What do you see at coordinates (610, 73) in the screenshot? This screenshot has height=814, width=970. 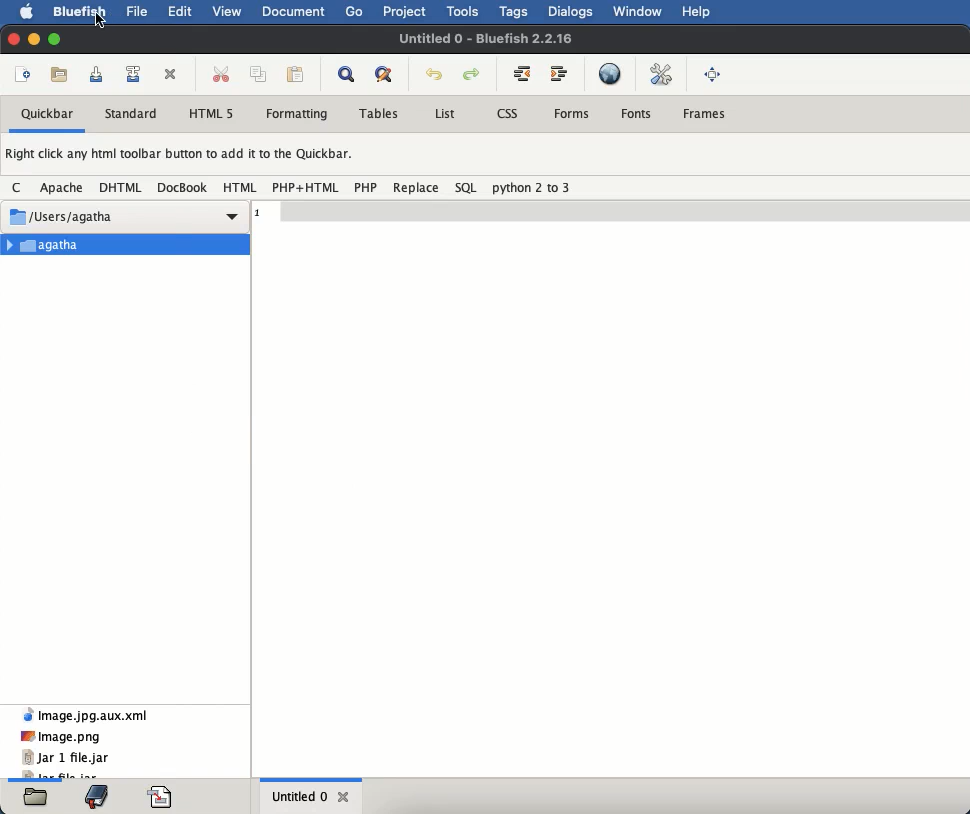 I see `preview in browser` at bounding box center [610, 73].